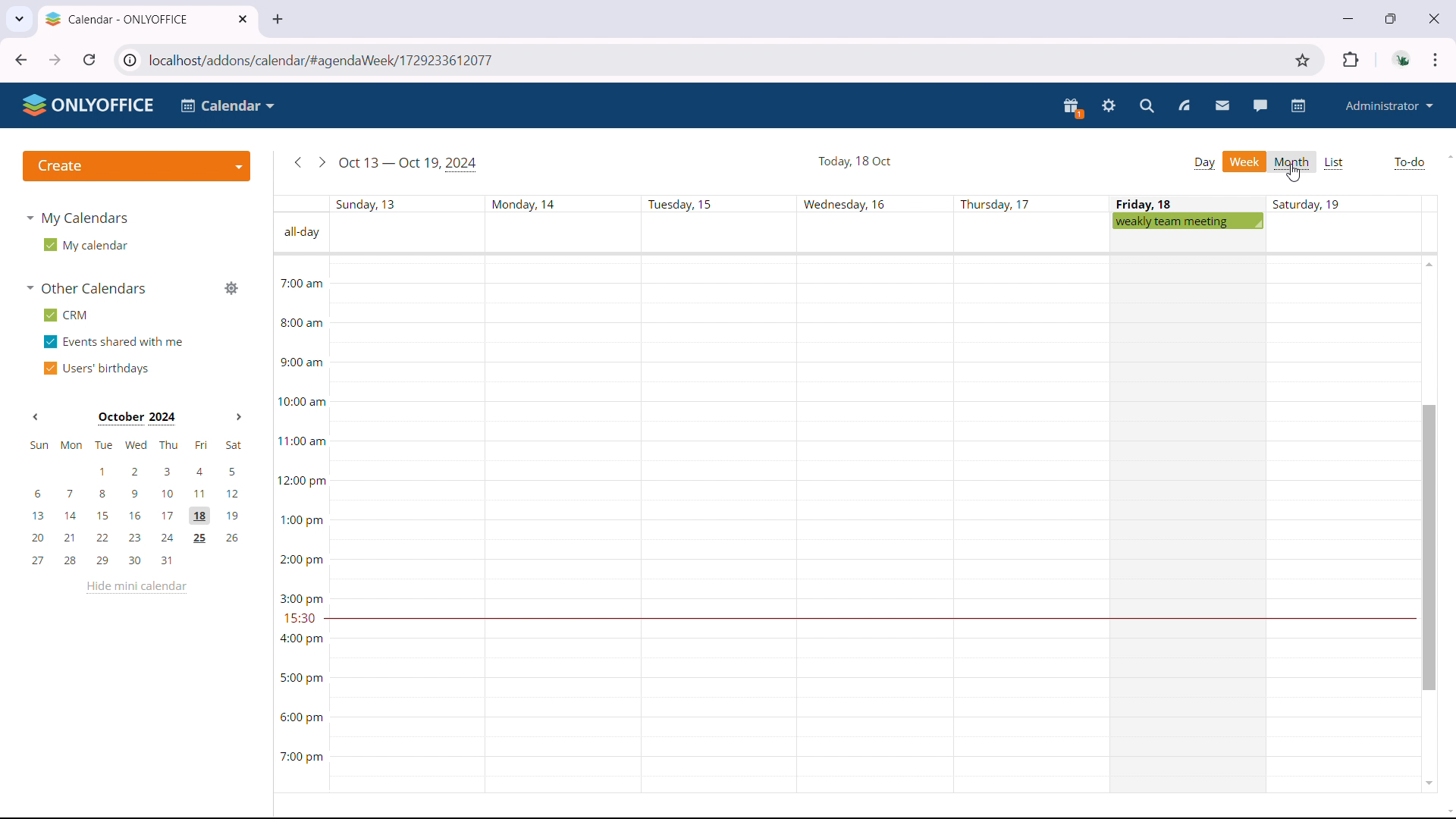  Describe the element at coordinates (1409, 162) in the screenshot. I see `to-do` at that location.